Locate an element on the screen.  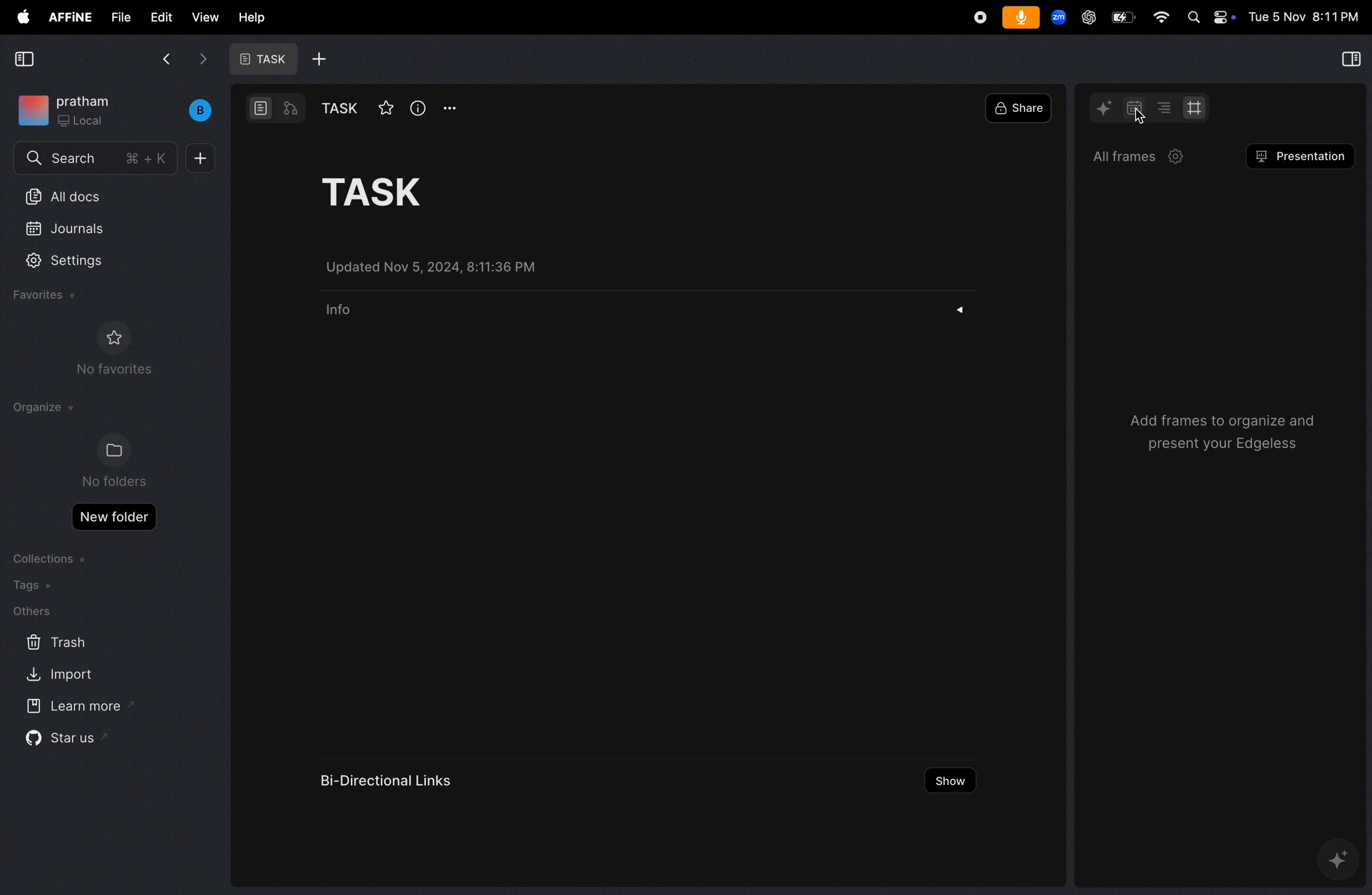
work space is located at coordinates (117, 110).